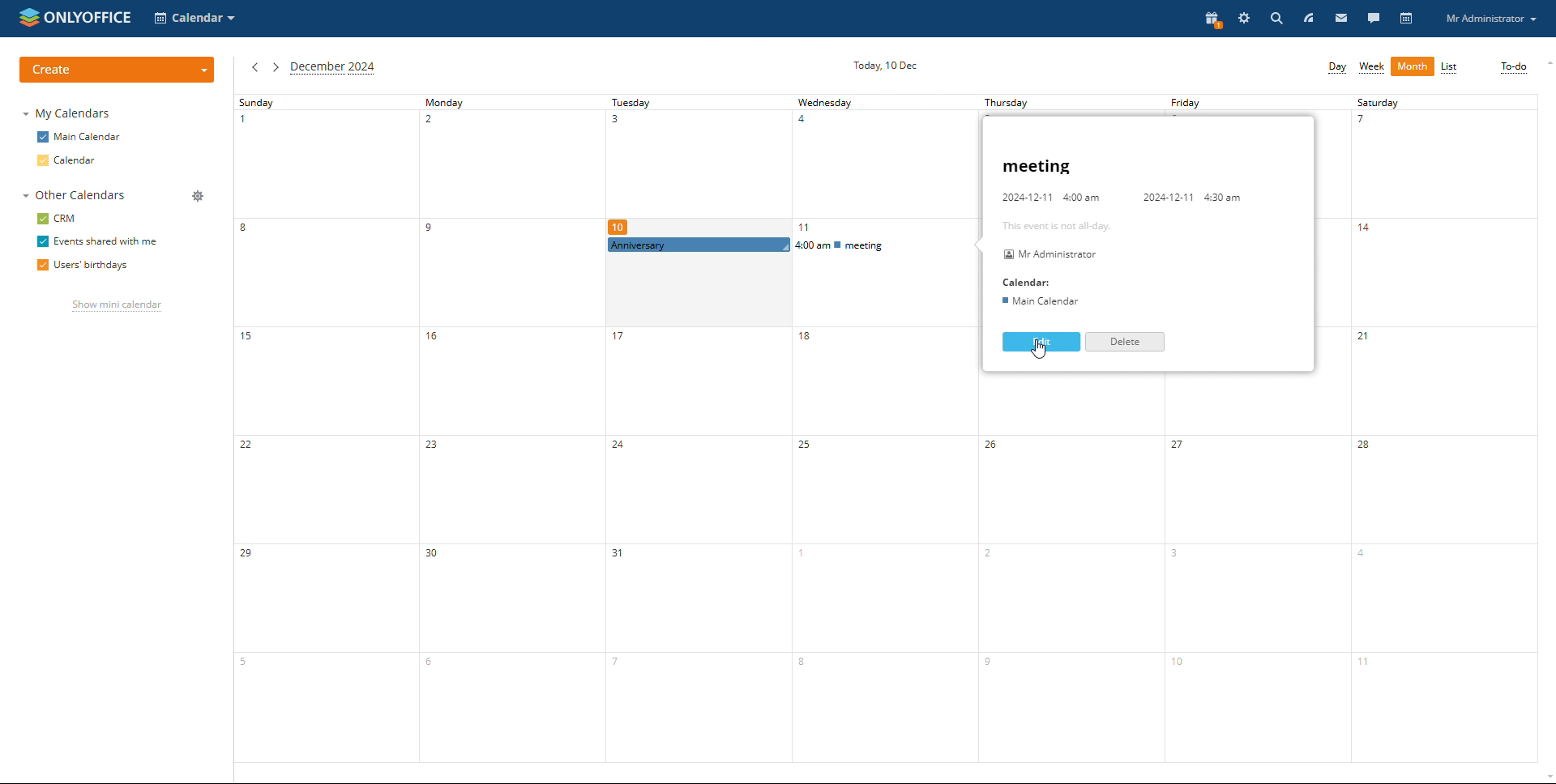 This screenshot has height=784, width=1556. Describe the element at coordinates (1251, 102) in the screenshot. I see `friday` at that location.